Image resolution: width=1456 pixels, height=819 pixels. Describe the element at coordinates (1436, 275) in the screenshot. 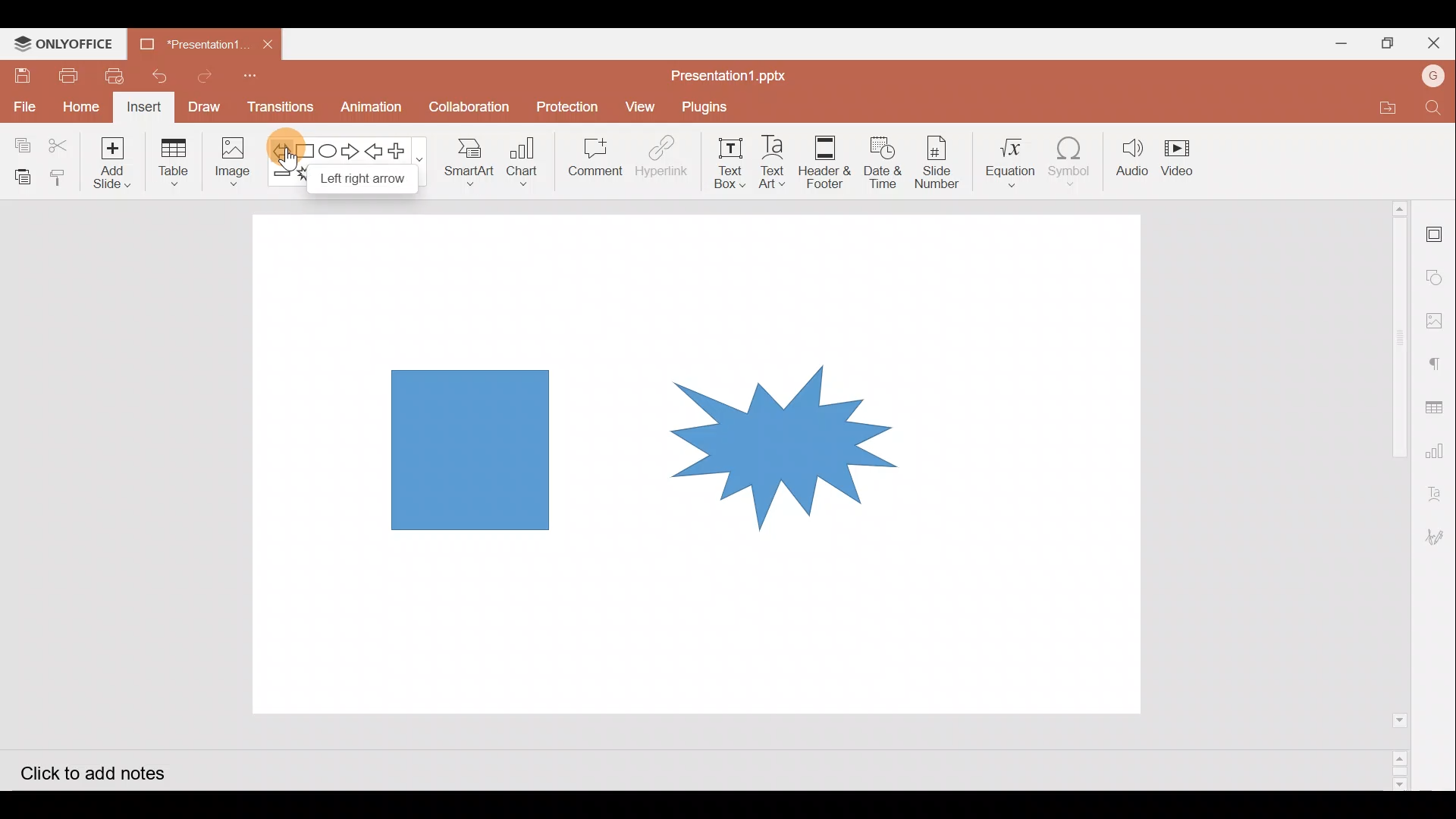

I see `Shapes settings` at that location.